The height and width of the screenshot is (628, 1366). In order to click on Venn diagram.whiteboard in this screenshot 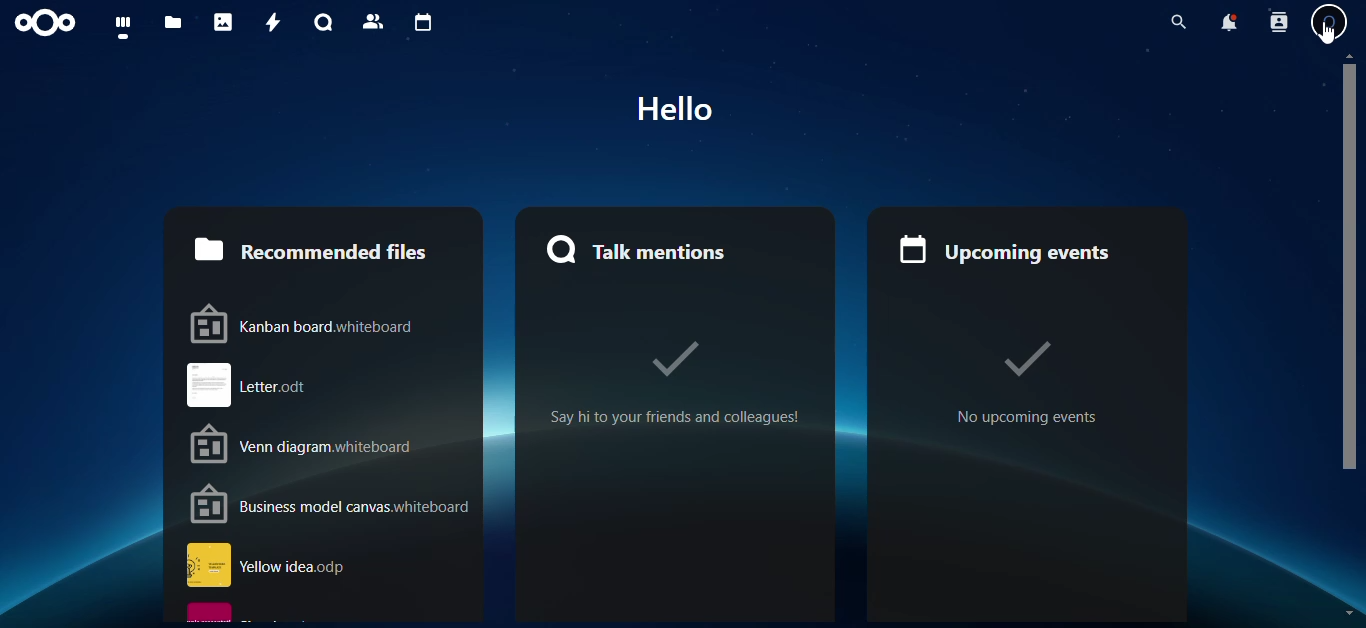, I will do `click(333, 443)`.